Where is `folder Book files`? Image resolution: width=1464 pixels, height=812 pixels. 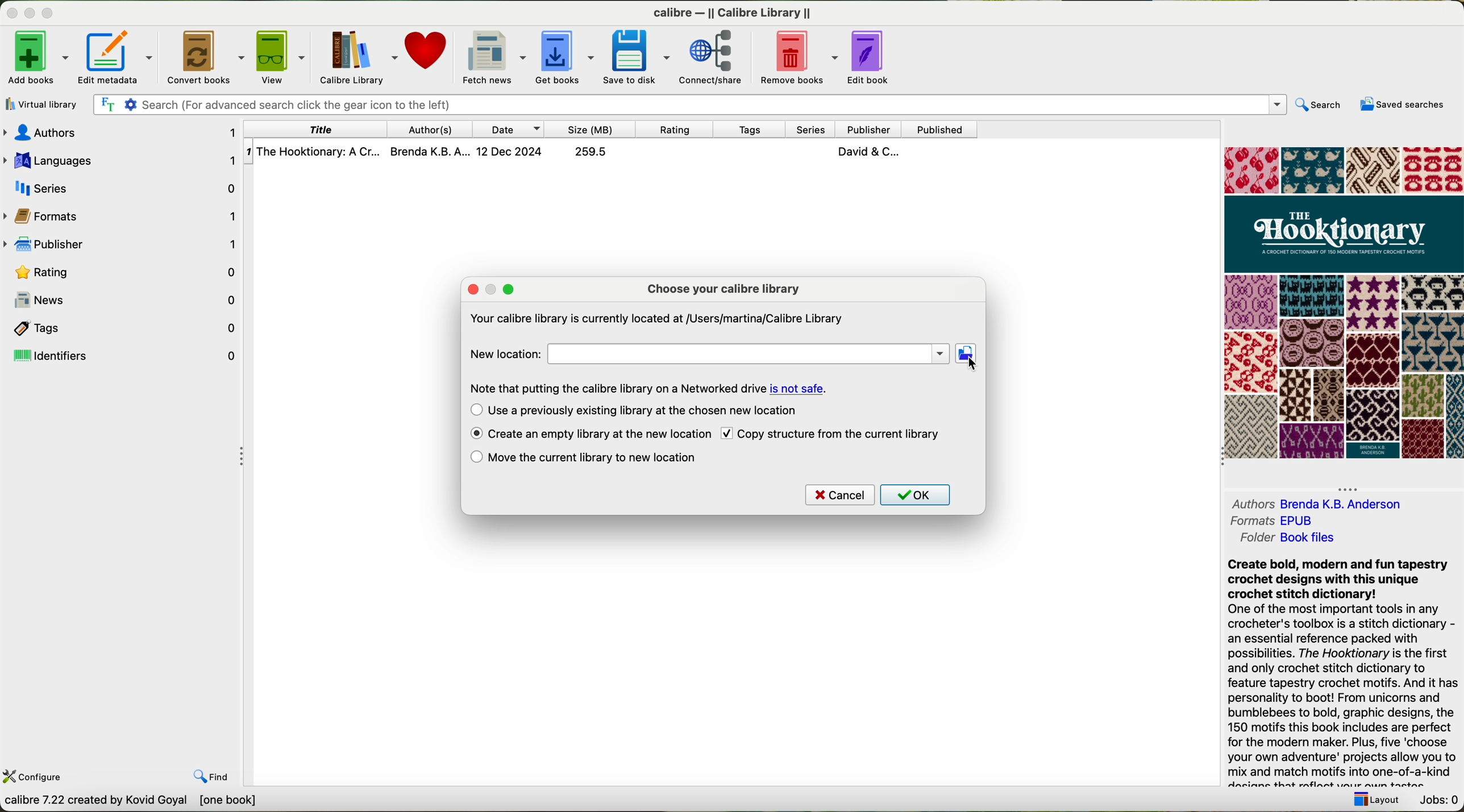
folder Book files is located at coordinates (1290, 540).